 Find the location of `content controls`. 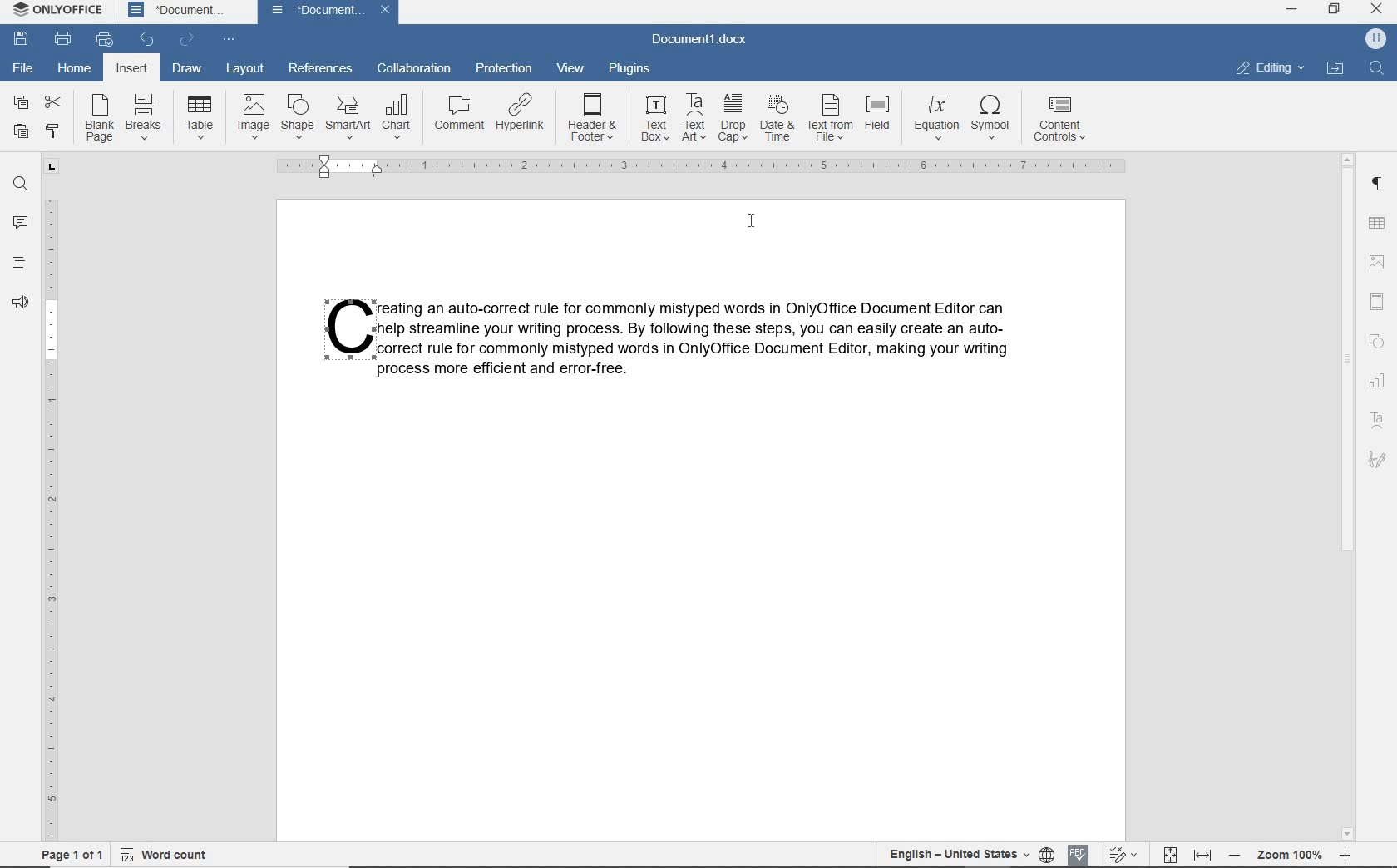

content controls is located at coordinates (1063, 121).